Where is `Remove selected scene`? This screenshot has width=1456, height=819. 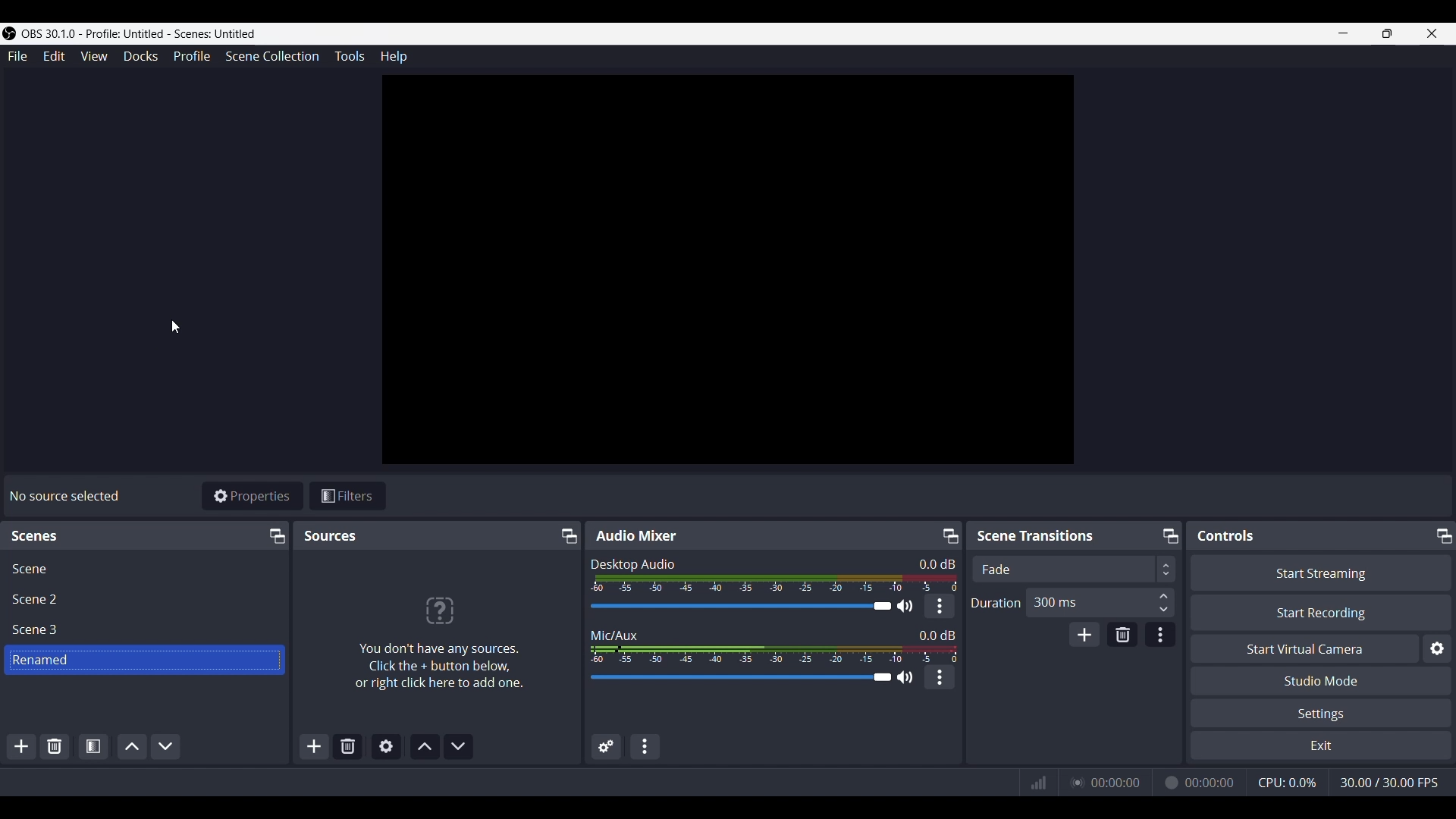 Remove selected scene is located at coordinates (55, 746).